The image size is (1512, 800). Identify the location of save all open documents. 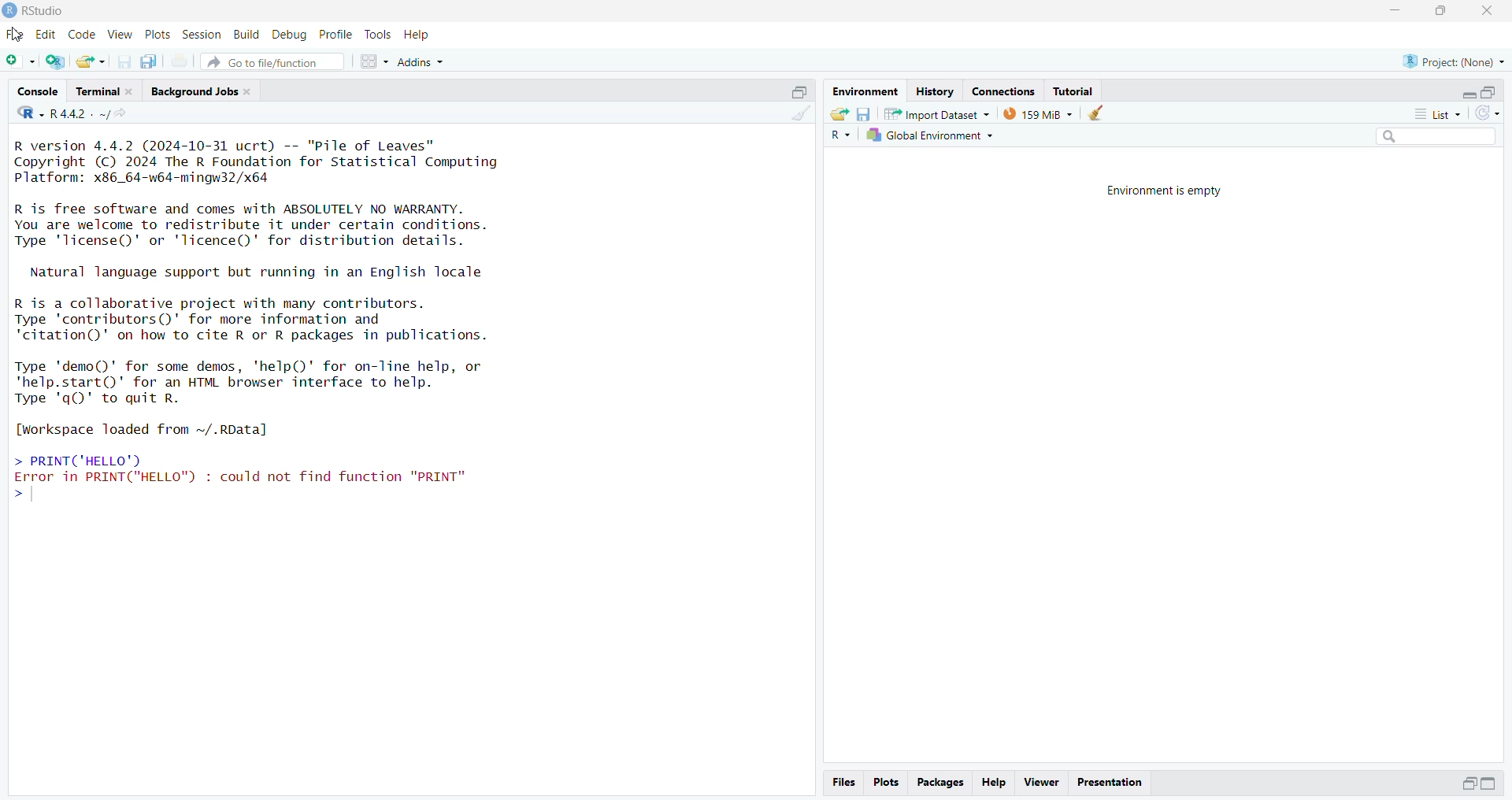
(150, 61).